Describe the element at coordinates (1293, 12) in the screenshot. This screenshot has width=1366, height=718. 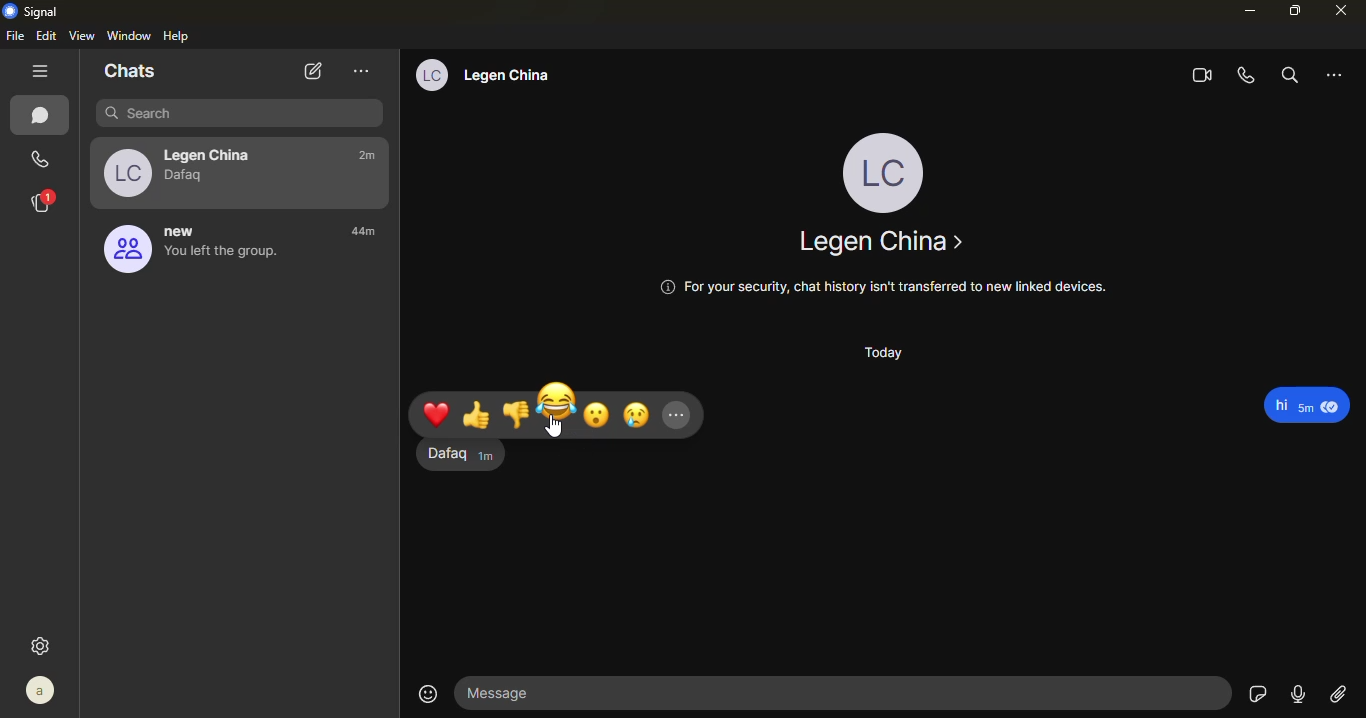
I see `maximize` at that location.